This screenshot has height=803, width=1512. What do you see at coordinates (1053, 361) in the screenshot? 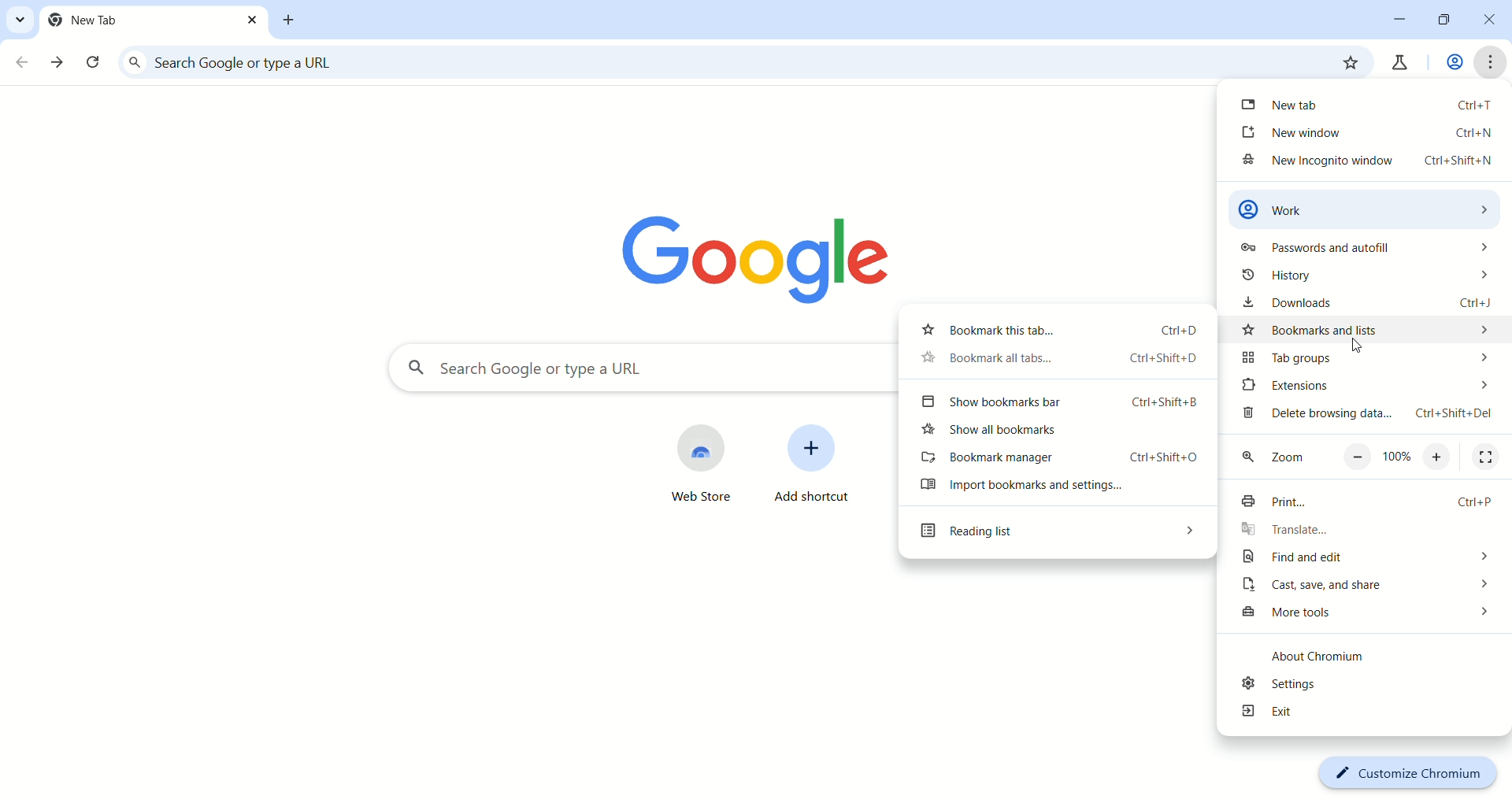
I see `bookmark all tabs` at bounding box center [1053, 361].